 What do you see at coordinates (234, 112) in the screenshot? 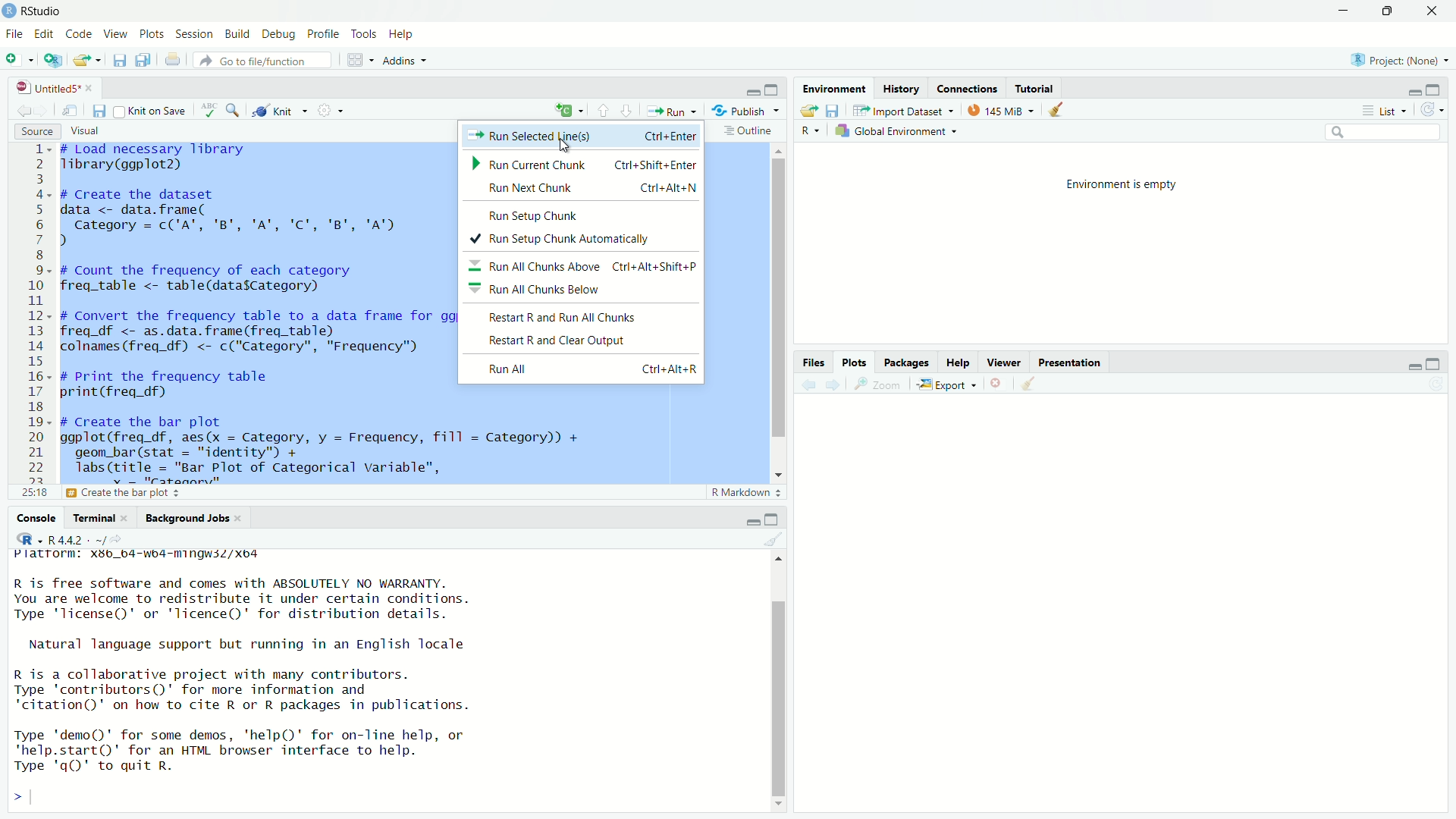
I see `find and replace` at bounding box center [234, 112].